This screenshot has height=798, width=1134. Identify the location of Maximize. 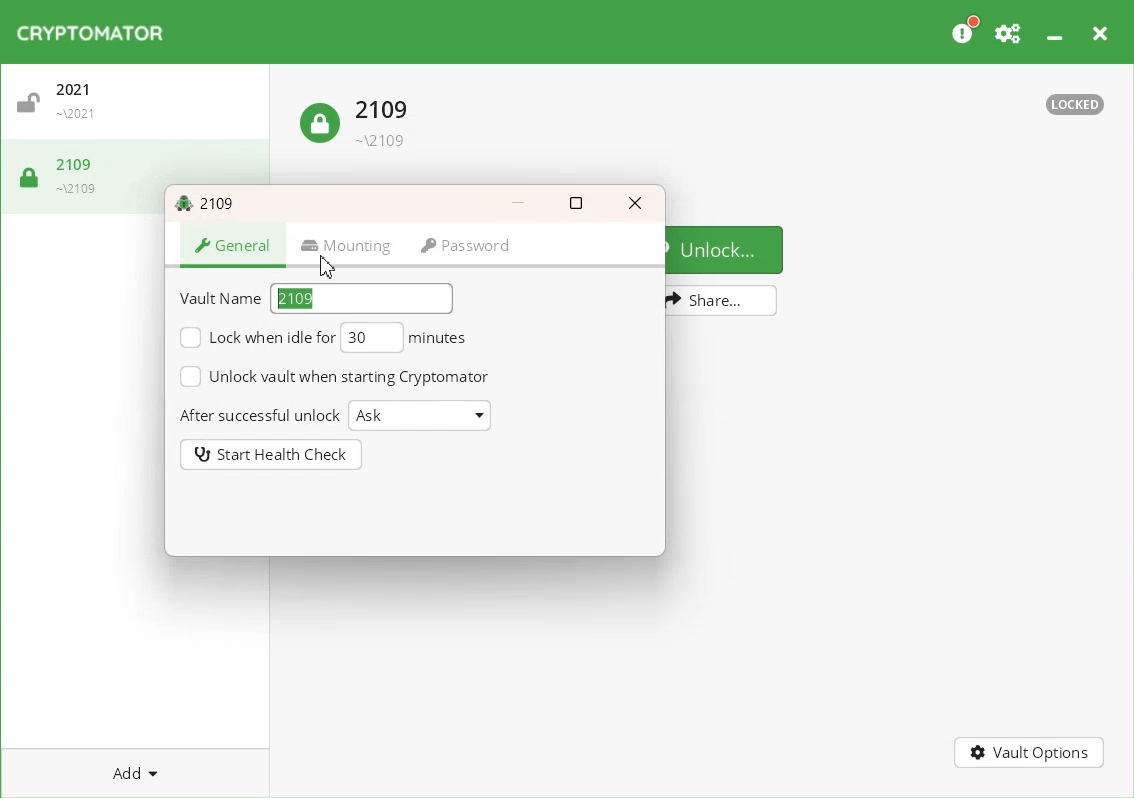
(577, 203).